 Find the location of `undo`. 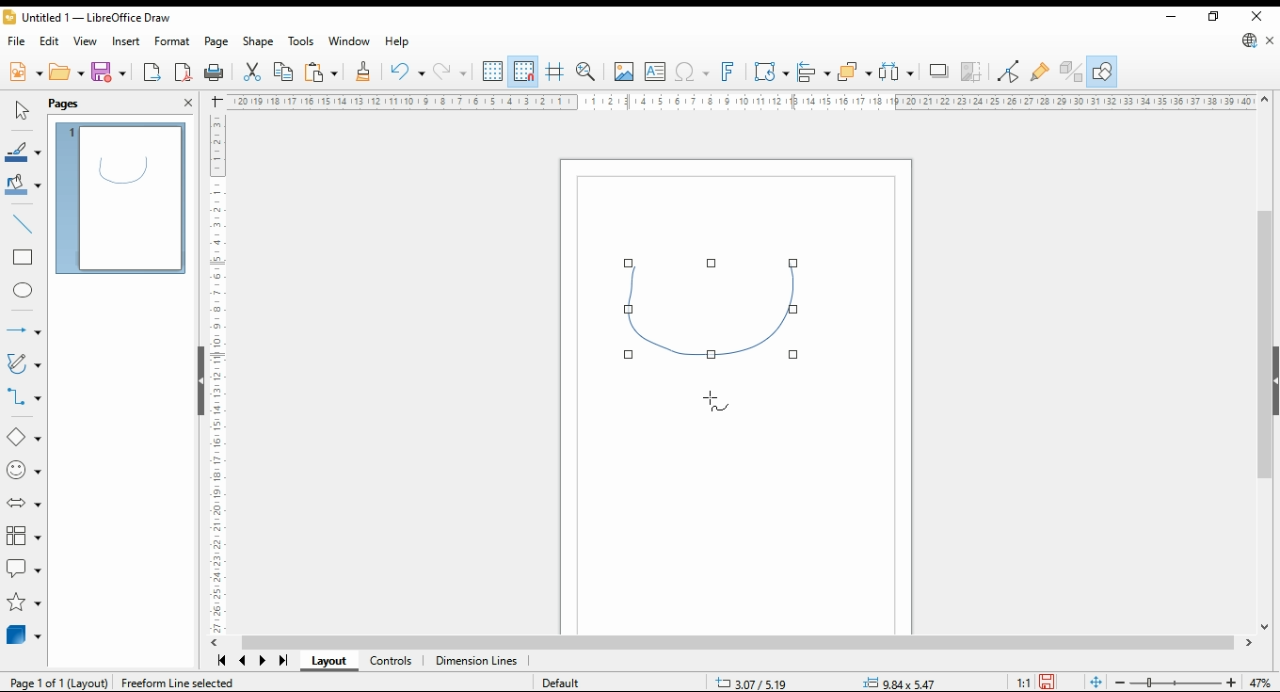

undo is located at coordinates (407, 72).